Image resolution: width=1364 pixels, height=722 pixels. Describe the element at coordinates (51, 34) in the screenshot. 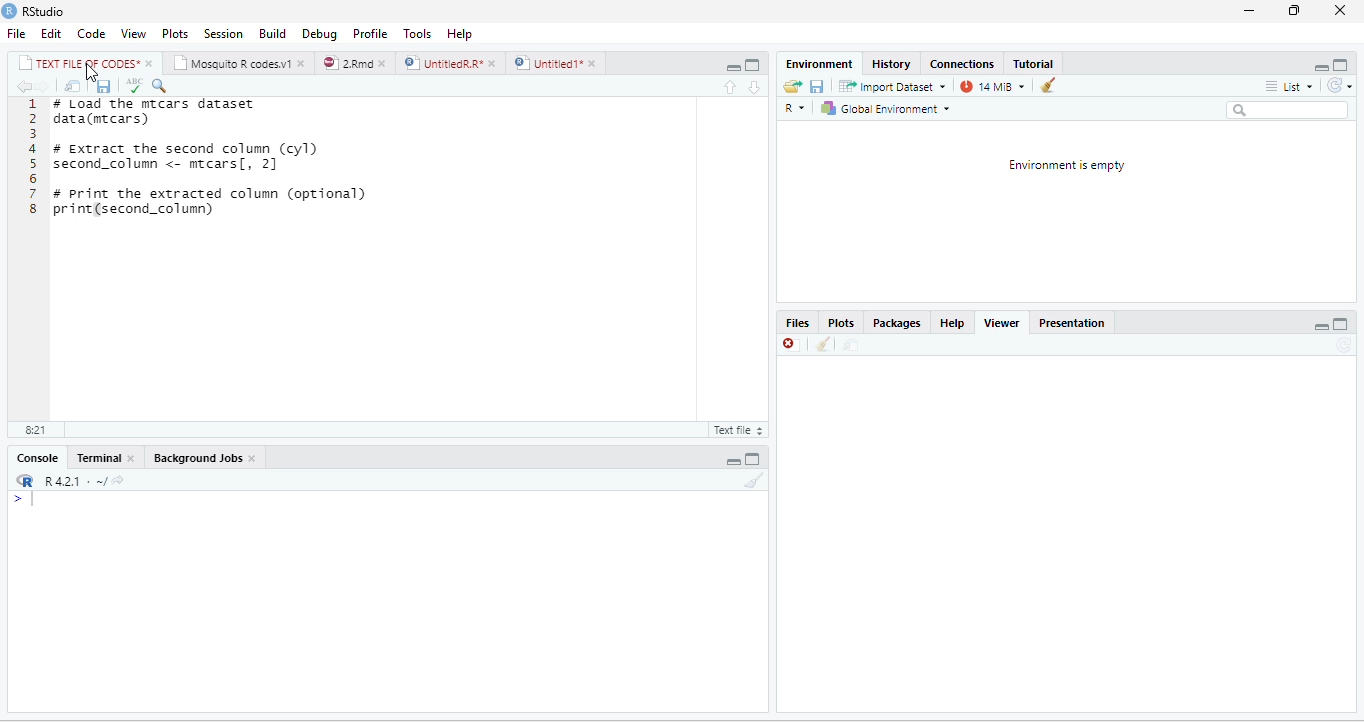

I see `Edit` at that location.